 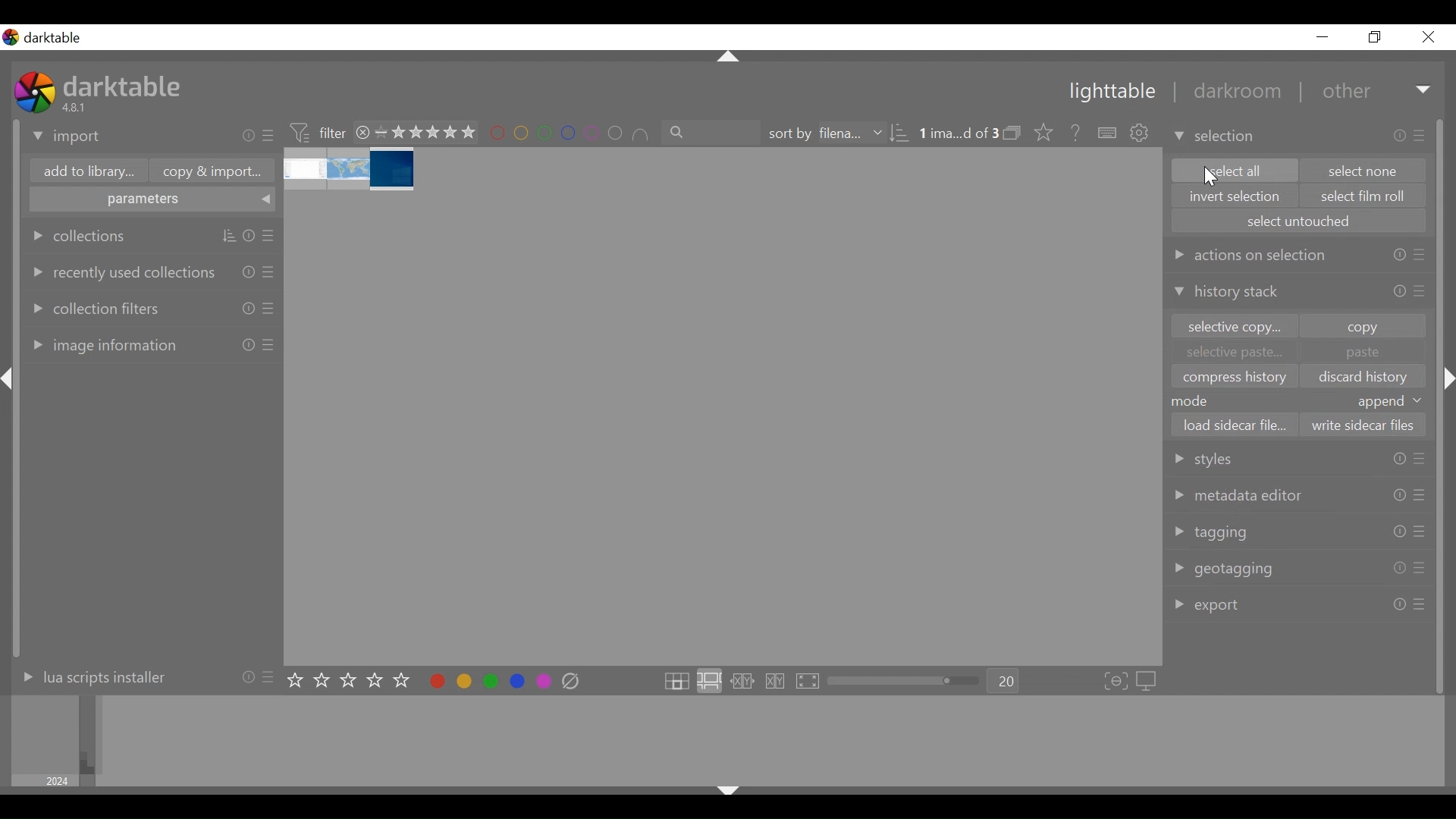 What do you see at coordinates (1450, 379) in the screenshot?
I see `Collapse ` at bounding box center [1450, 379].